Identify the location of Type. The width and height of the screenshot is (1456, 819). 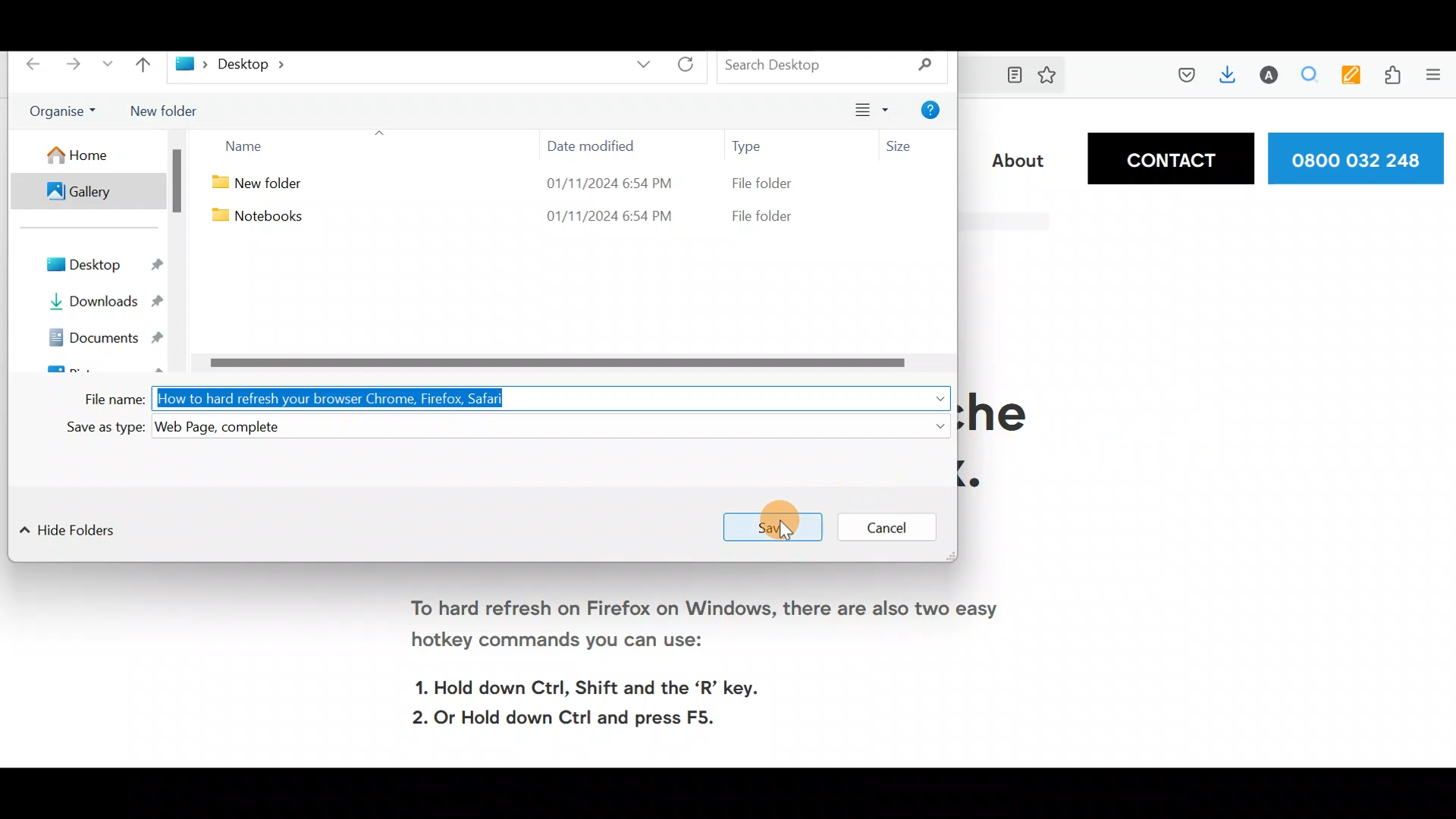
(754, 149).